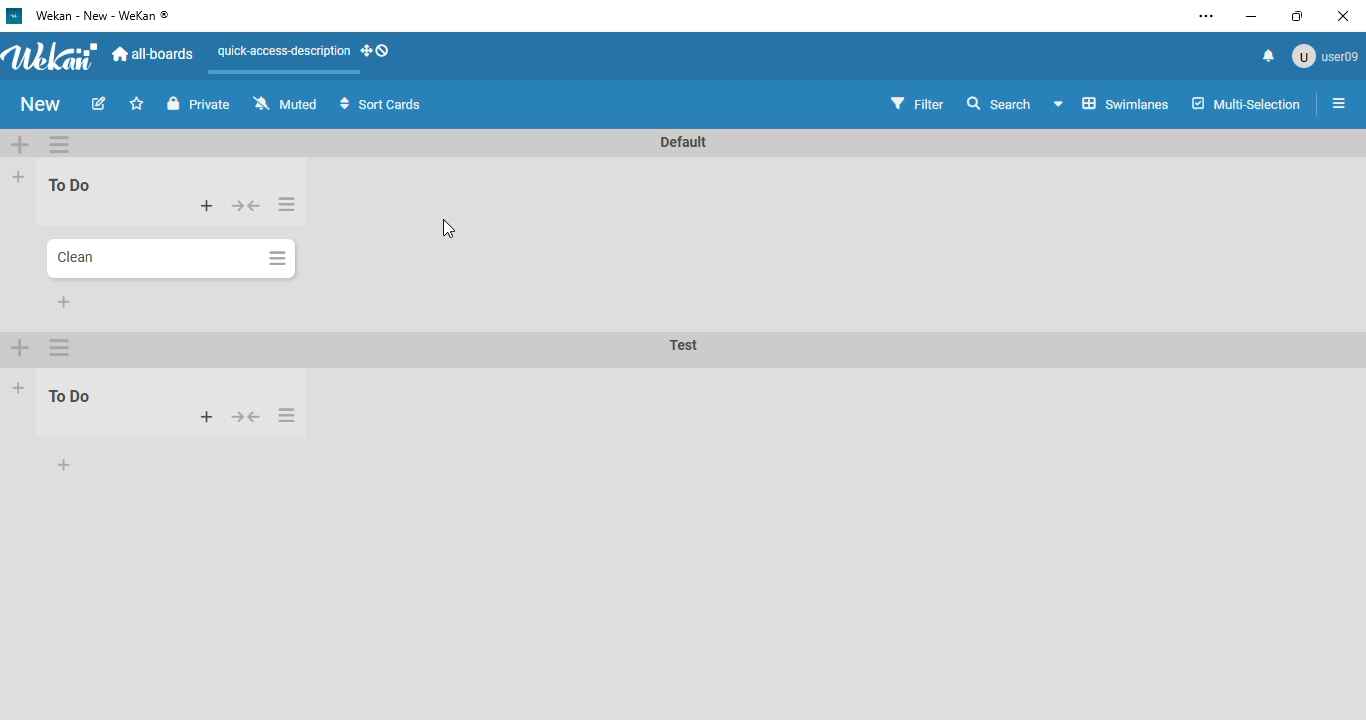  What do you see at coordinates (681, 345) in the screenshot?
I see `swimlane name` at bounding box center [681, 345].